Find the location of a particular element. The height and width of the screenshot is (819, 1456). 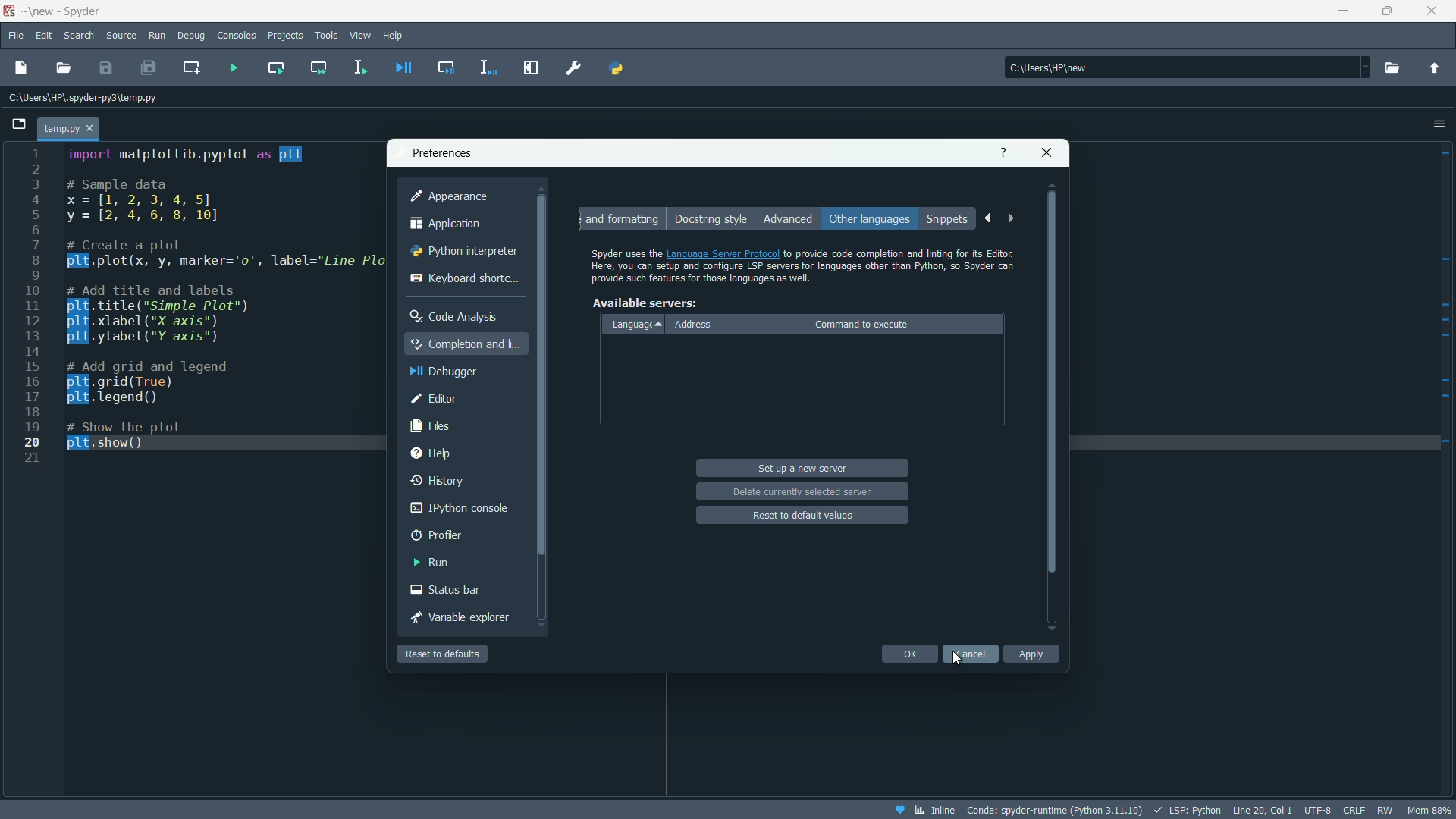

run selection is located at coordinates (359, 67).